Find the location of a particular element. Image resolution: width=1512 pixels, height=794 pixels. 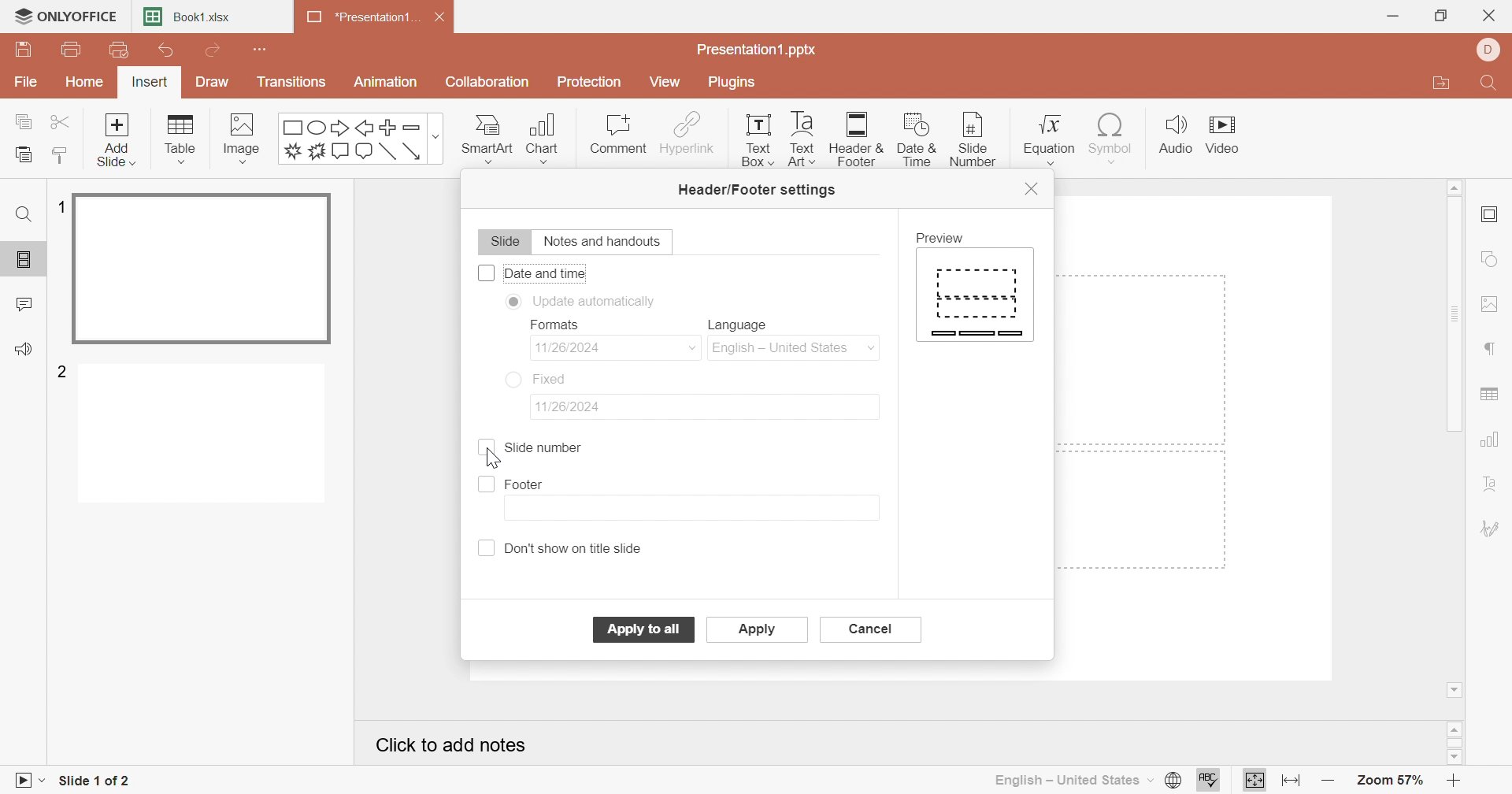

1 is located at coordinates (58, 207).